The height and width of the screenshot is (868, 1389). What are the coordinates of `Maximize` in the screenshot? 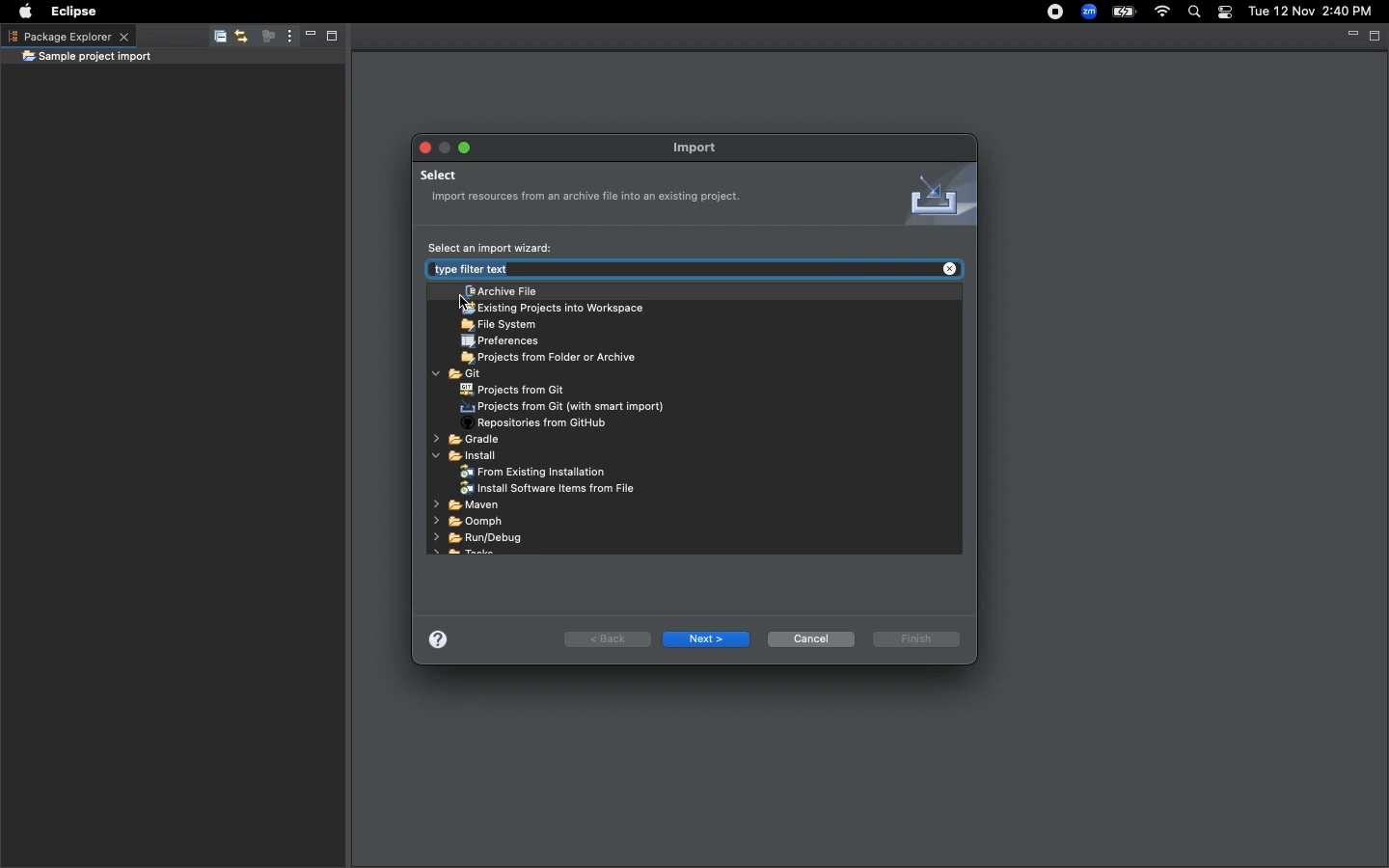 It's located at (330, 39).